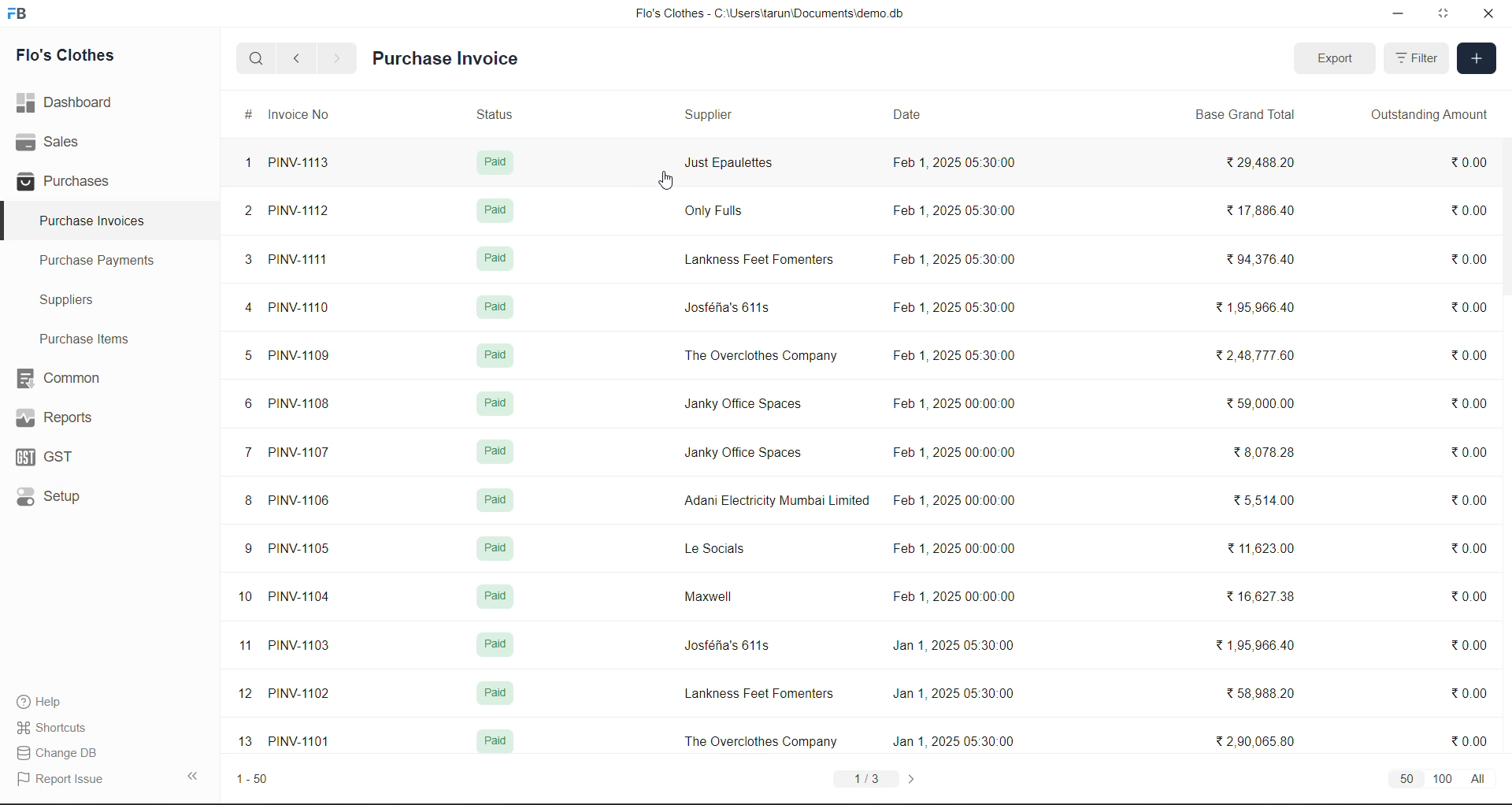  What do you see at coordinates (239, 114) in the screenshot?
I see `#` at bounding box center [239, 114].